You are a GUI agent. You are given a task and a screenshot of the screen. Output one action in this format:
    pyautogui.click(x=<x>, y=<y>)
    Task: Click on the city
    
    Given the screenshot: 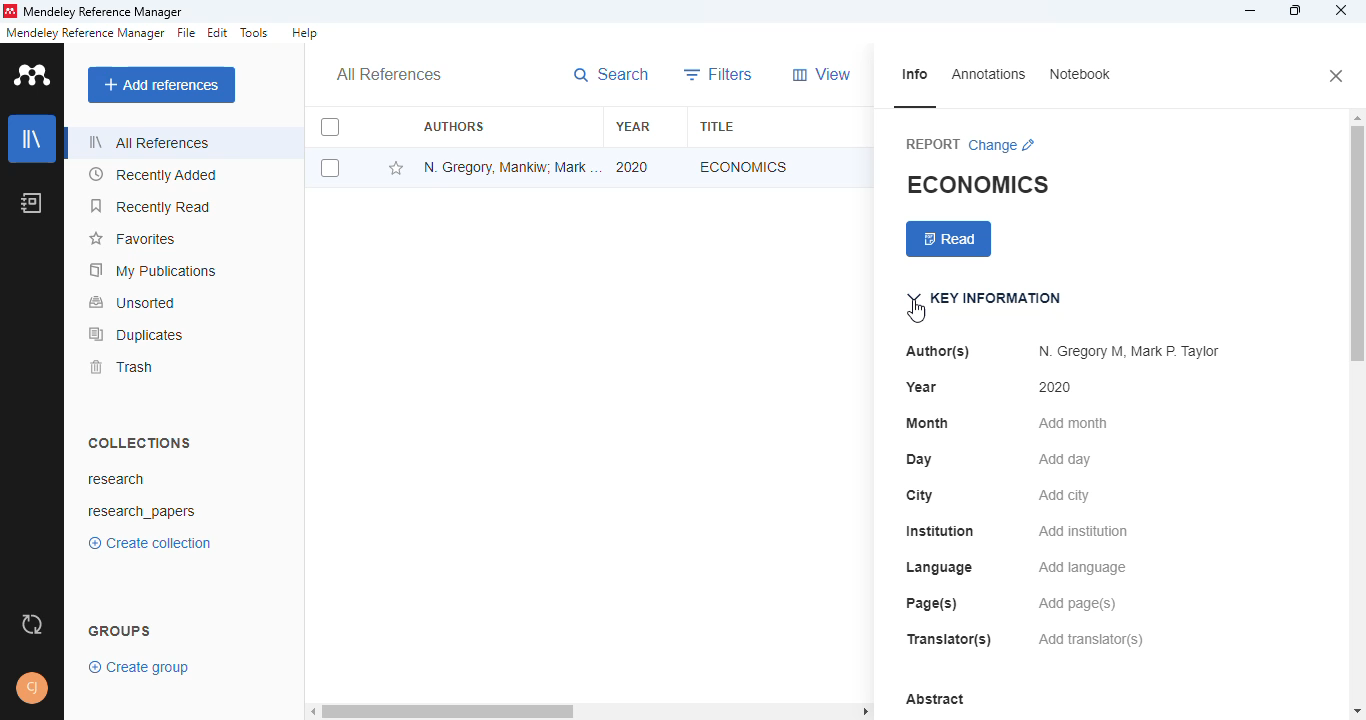 What is the action you would take?
    pyautogui.click(x=919, y=496)
    